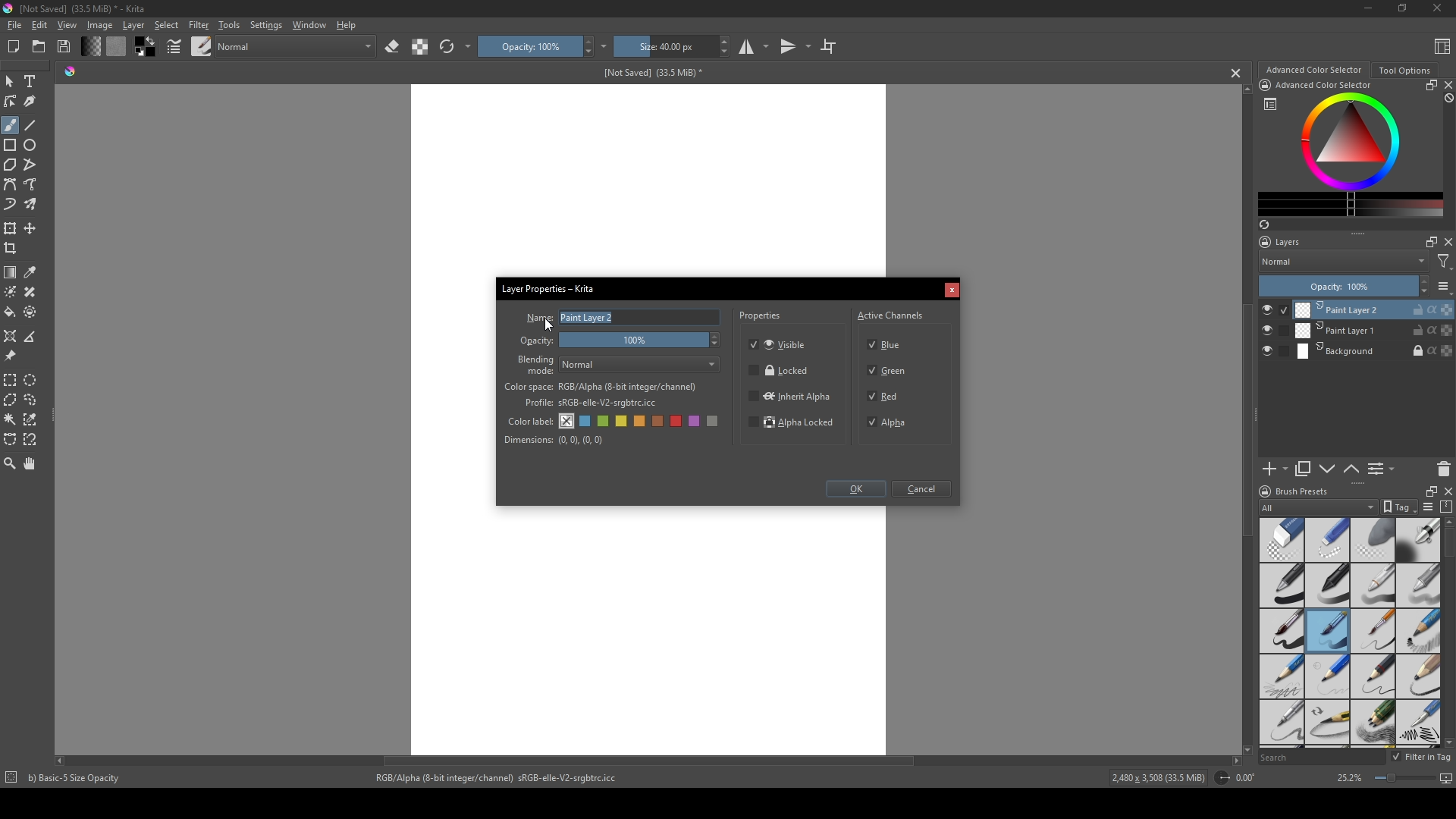  I want to click on check button, so click(1274, 309).